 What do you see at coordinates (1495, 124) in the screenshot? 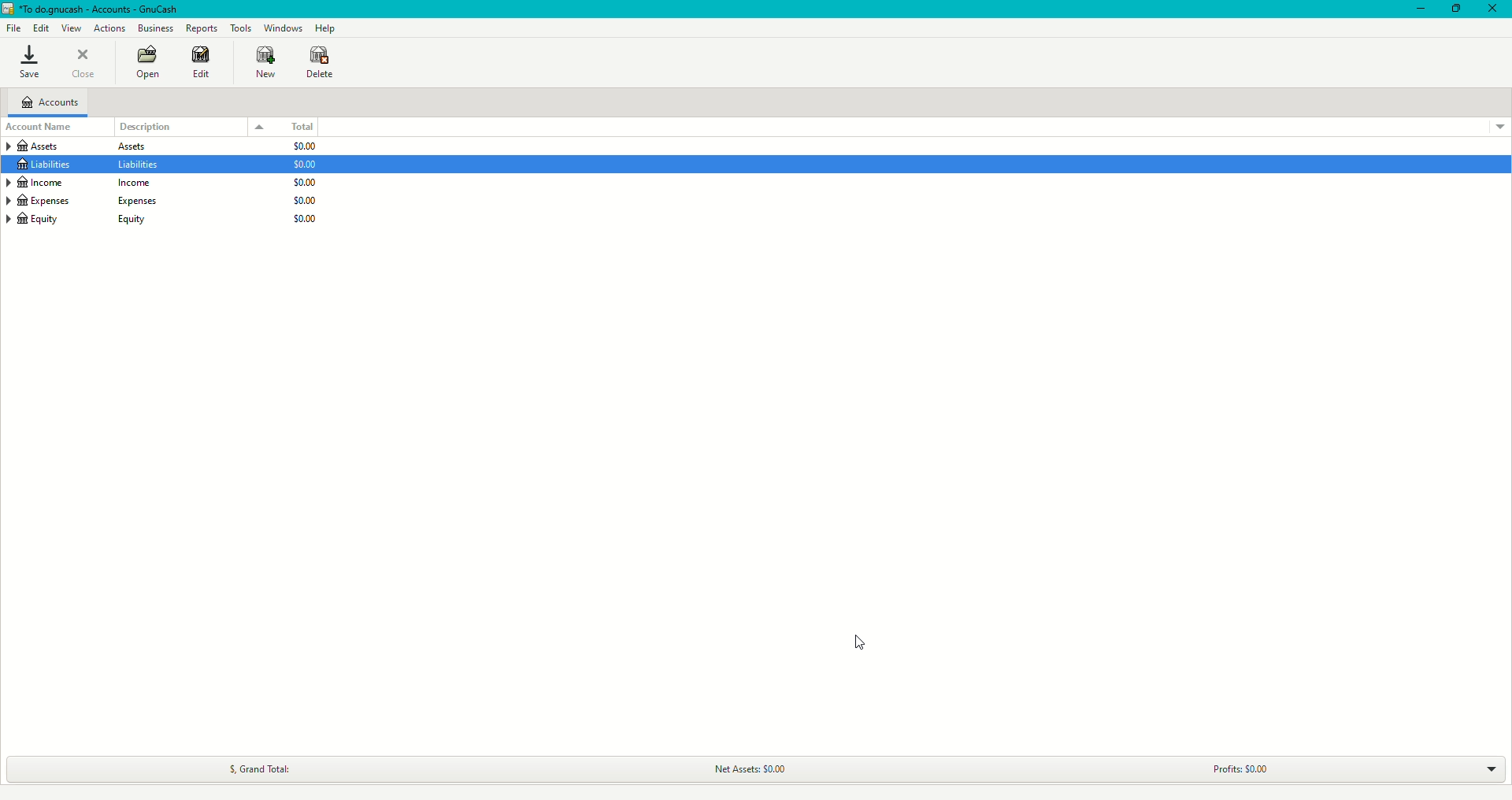
I see `Drop down menu` at bounding box center [1495, 124].